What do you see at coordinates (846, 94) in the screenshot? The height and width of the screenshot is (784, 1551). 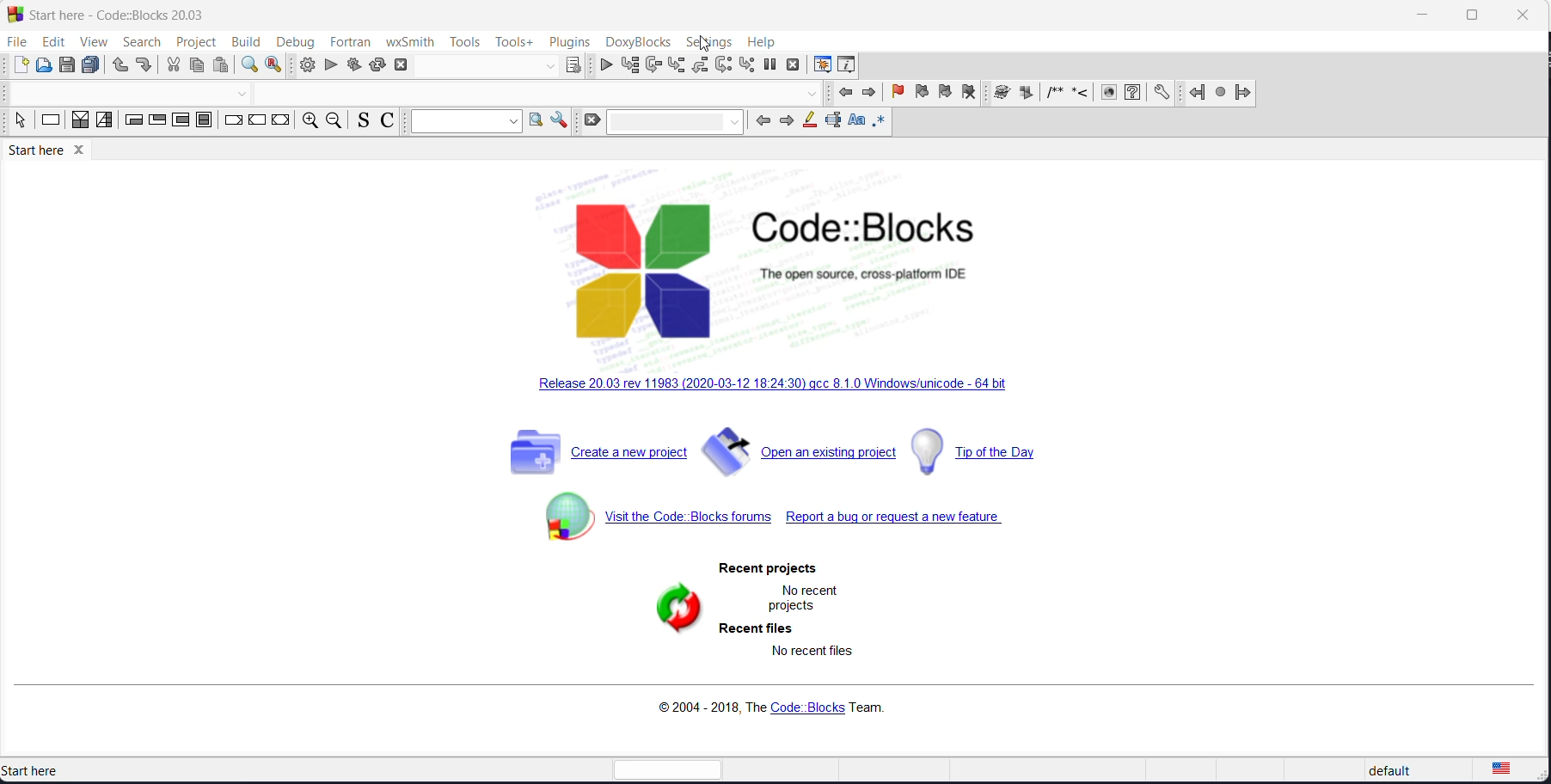 I see `previous` at bounding box center [846, 94].